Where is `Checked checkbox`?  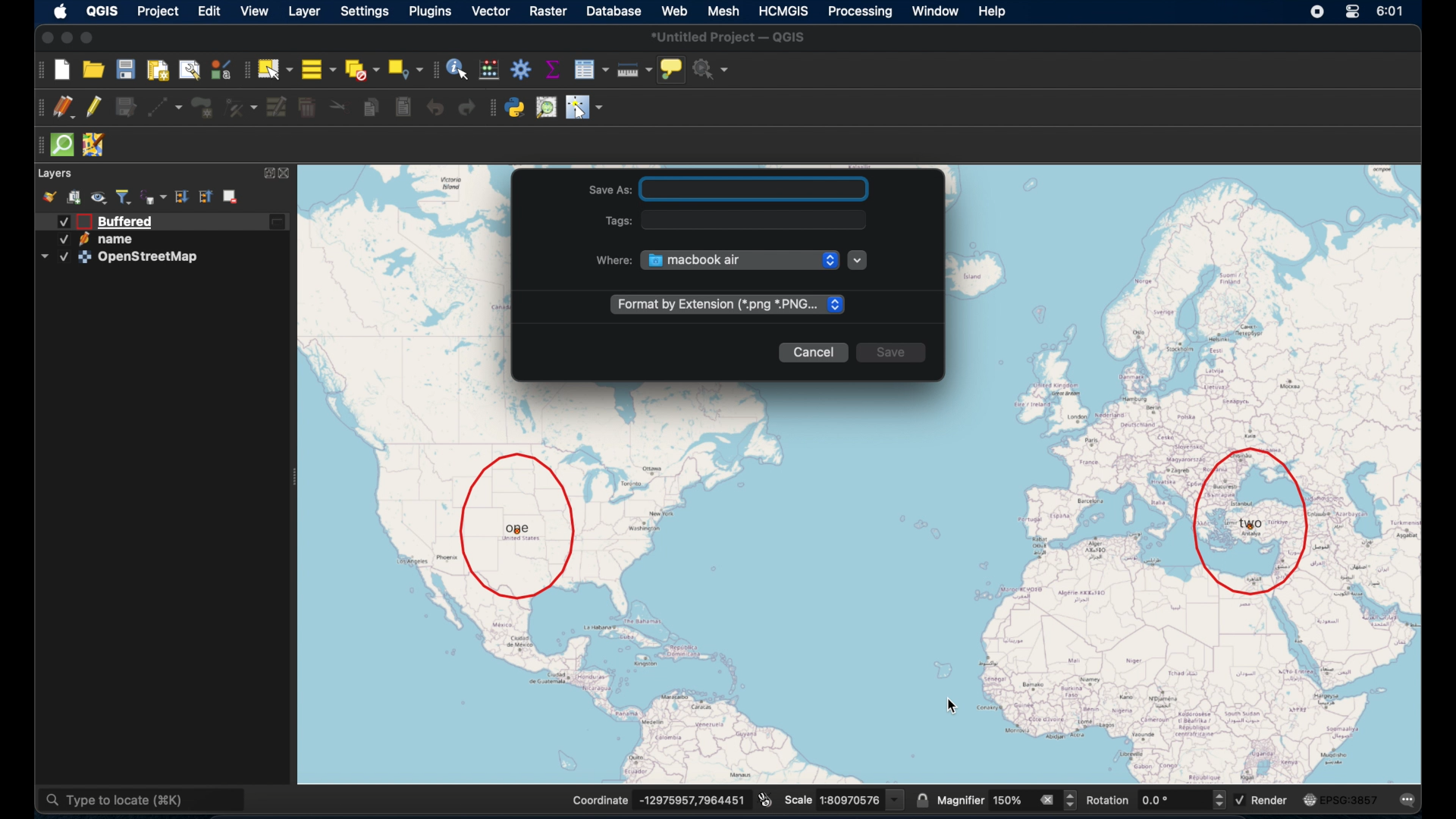
Checked checkbox is located at coordinates (1241, 800).